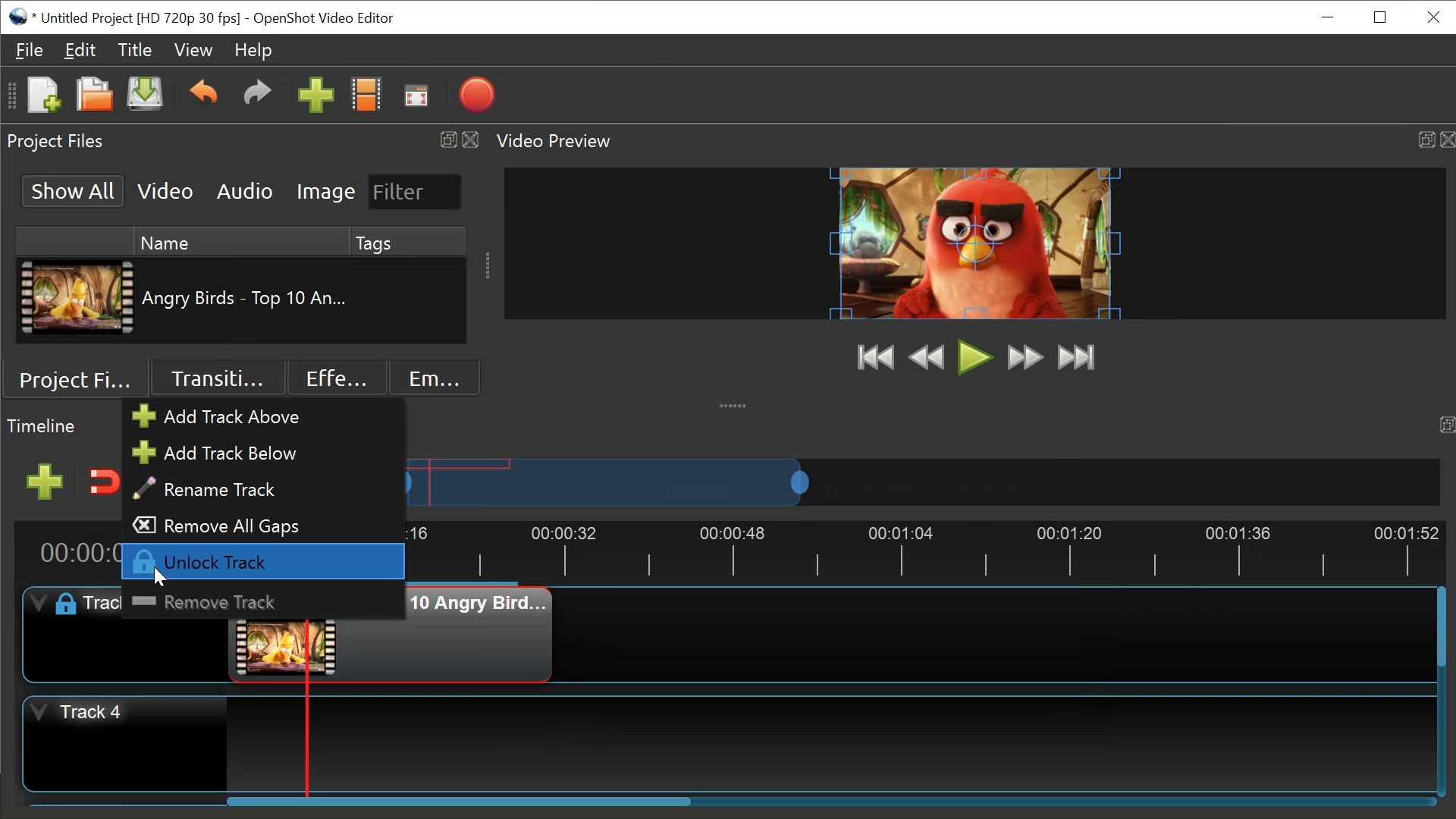 This screenshot has width=1456, height=819. What do you see at coordinates (972, 142) in the screenshot?
I see `Video Preview` at bounding box center [972, 142].